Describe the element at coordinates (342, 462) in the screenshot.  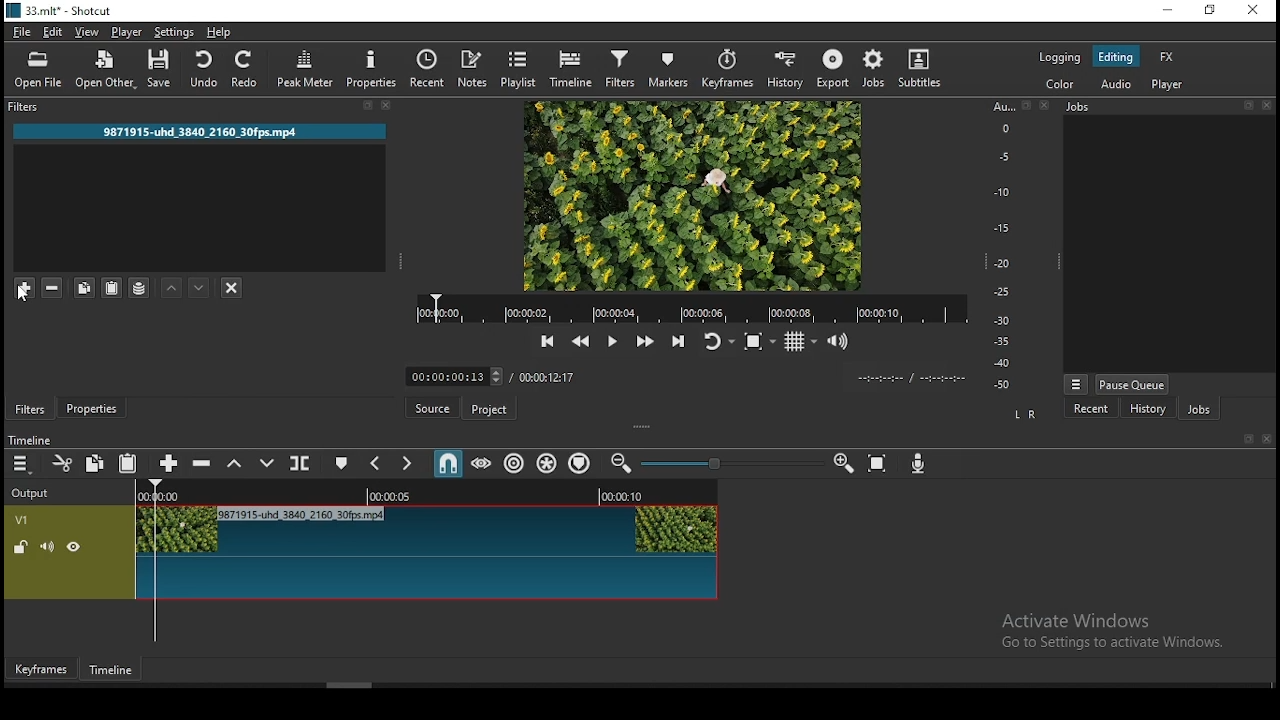
I see `create/edit marker` at that location.